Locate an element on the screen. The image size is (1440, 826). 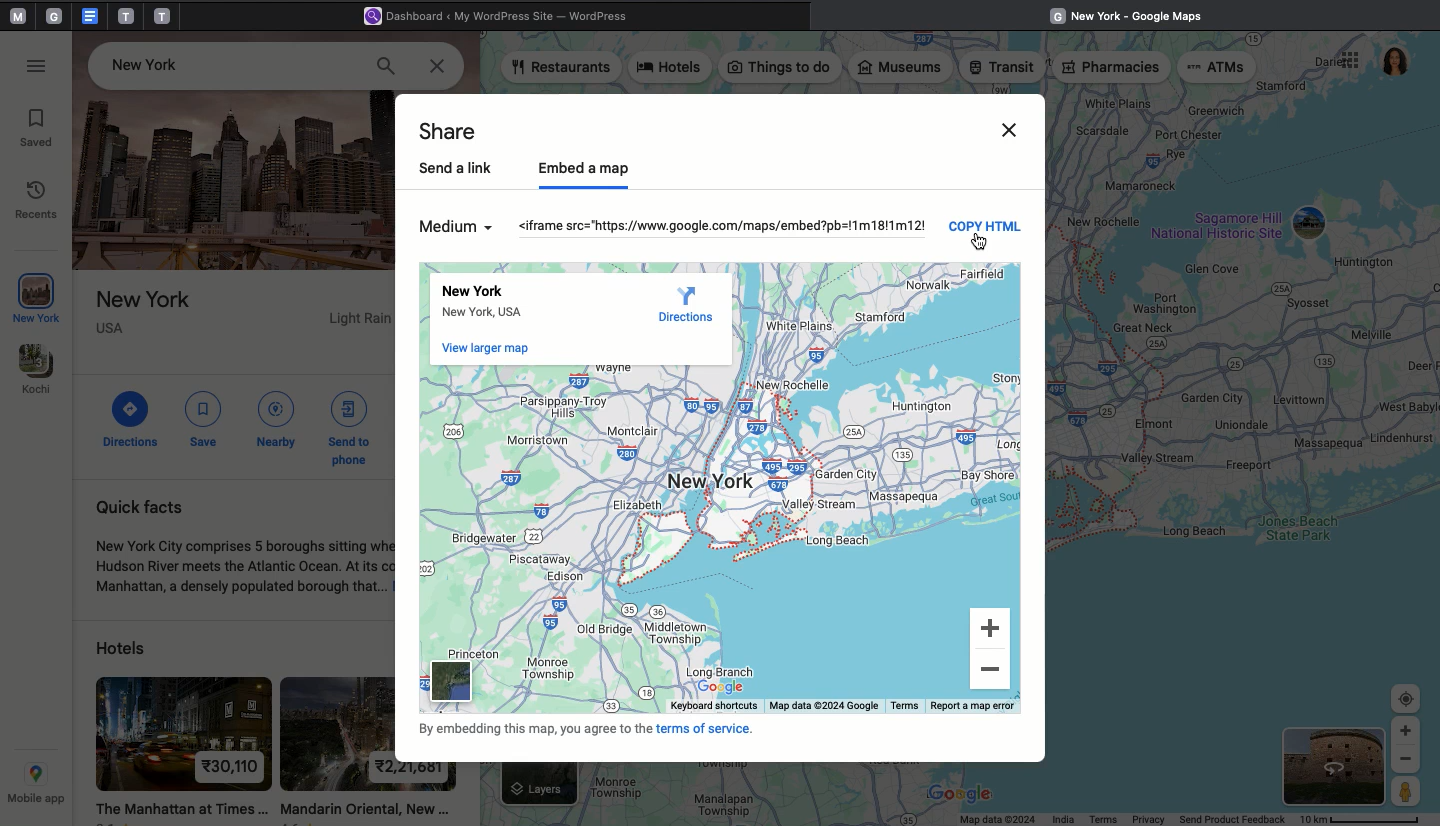
Nearby is located at coordinates (276, 418).